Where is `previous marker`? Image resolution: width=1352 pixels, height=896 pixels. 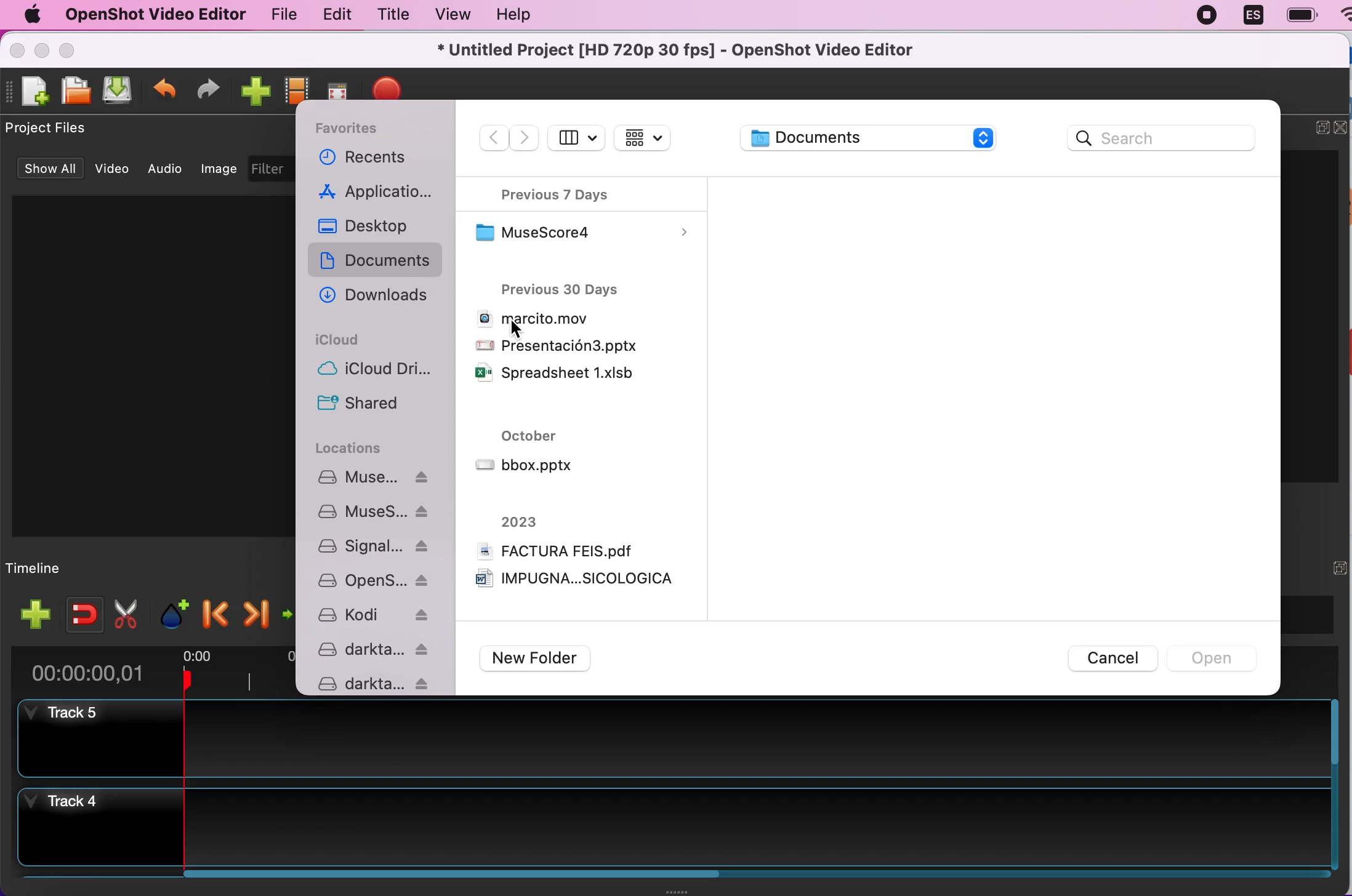
previous marker is located at coordinates (213, 612).